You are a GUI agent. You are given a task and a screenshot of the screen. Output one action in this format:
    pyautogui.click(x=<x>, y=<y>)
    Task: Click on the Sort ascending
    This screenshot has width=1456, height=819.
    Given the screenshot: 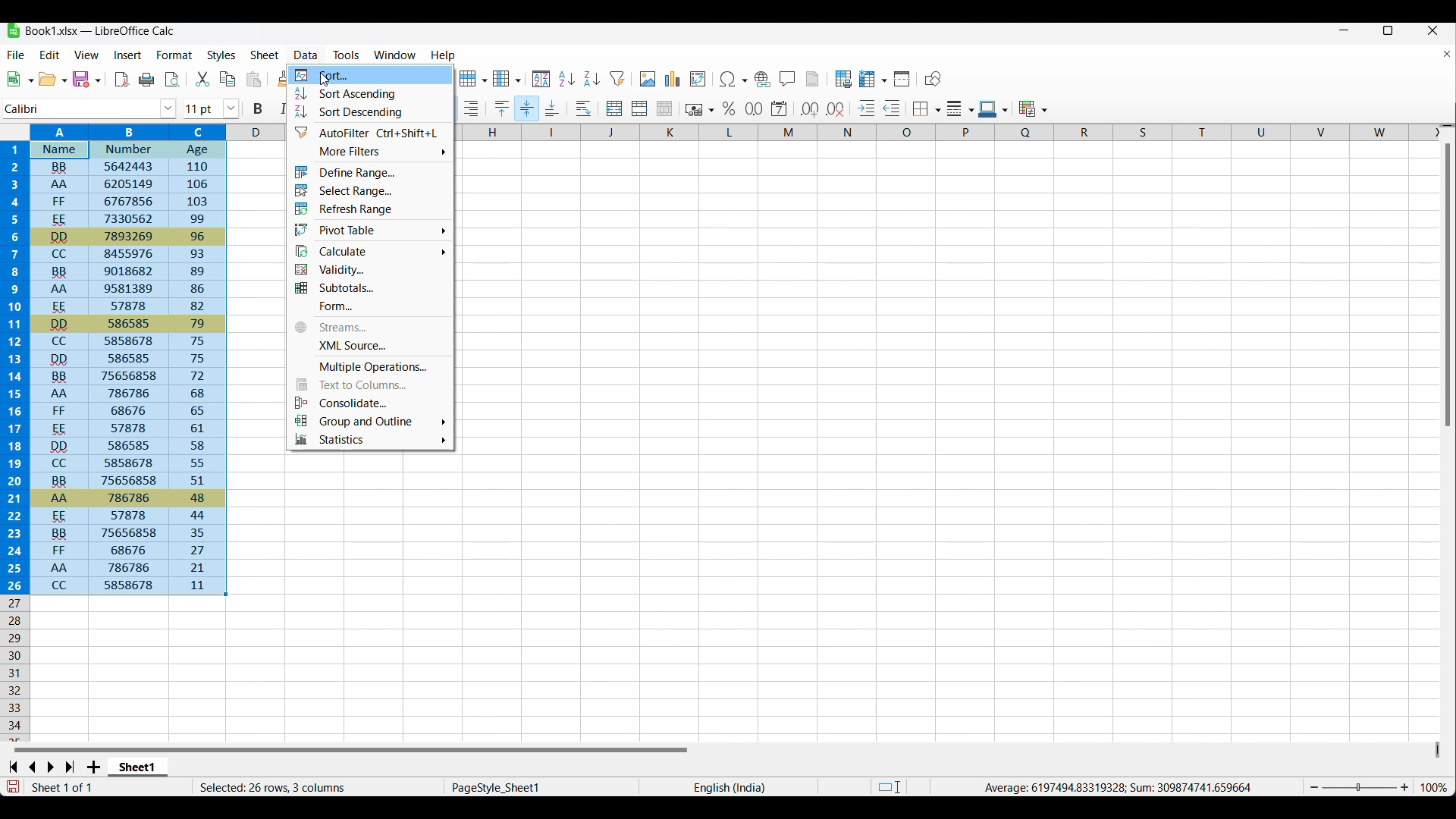 What is the action you would take?
    pyautogui.click(x=592, y=79)
    